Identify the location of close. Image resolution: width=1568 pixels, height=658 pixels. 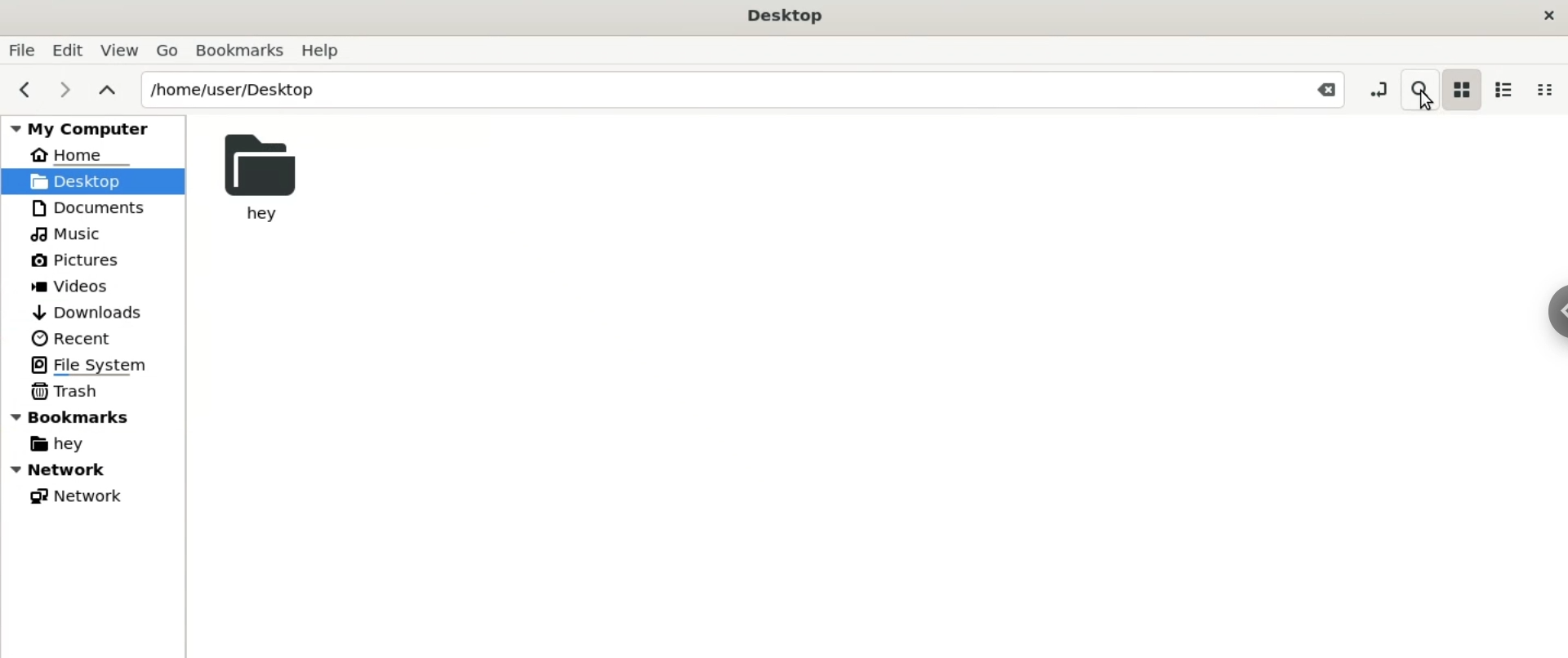
(1547, 17).